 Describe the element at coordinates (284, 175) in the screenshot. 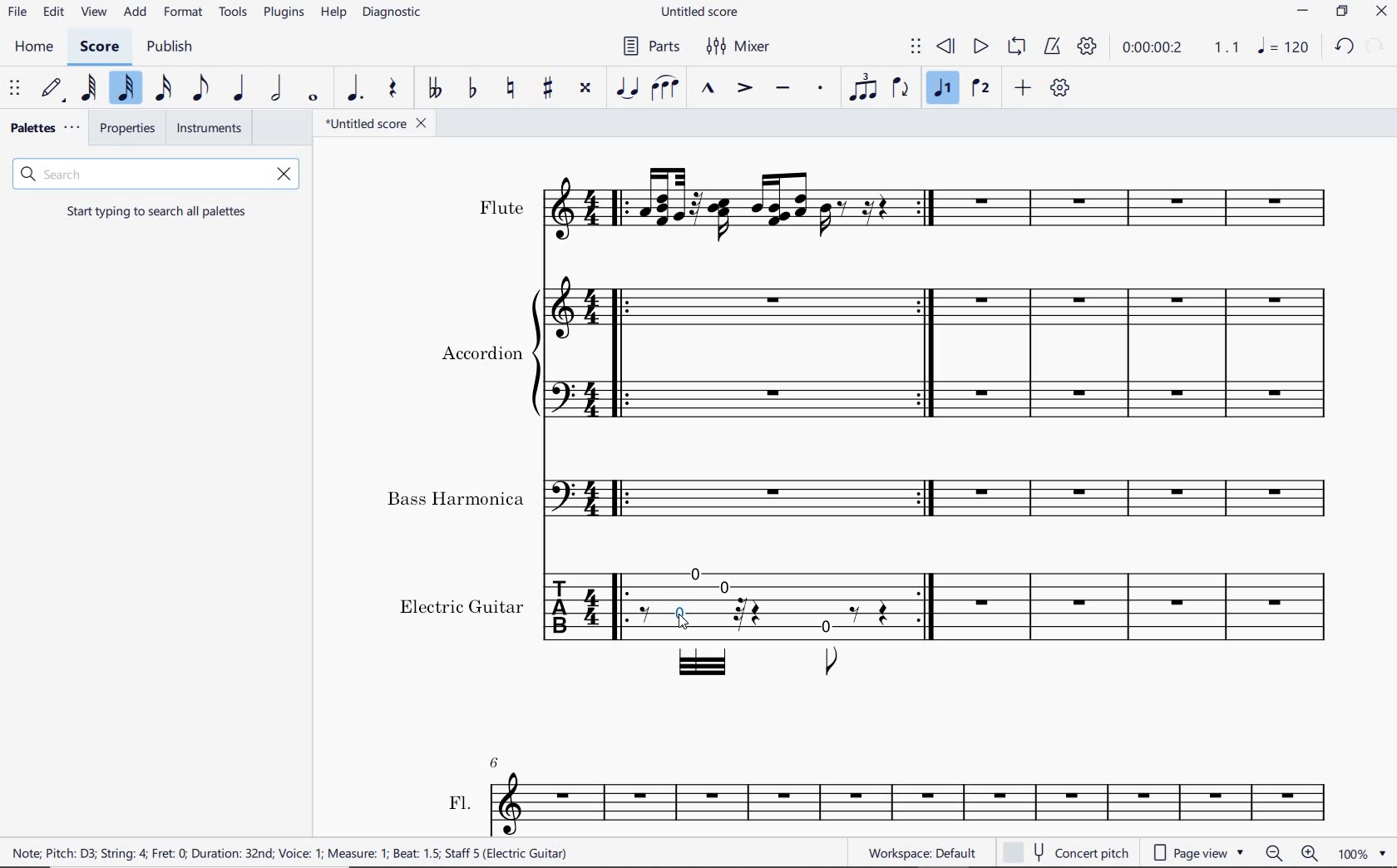

I see `remove` at that location.